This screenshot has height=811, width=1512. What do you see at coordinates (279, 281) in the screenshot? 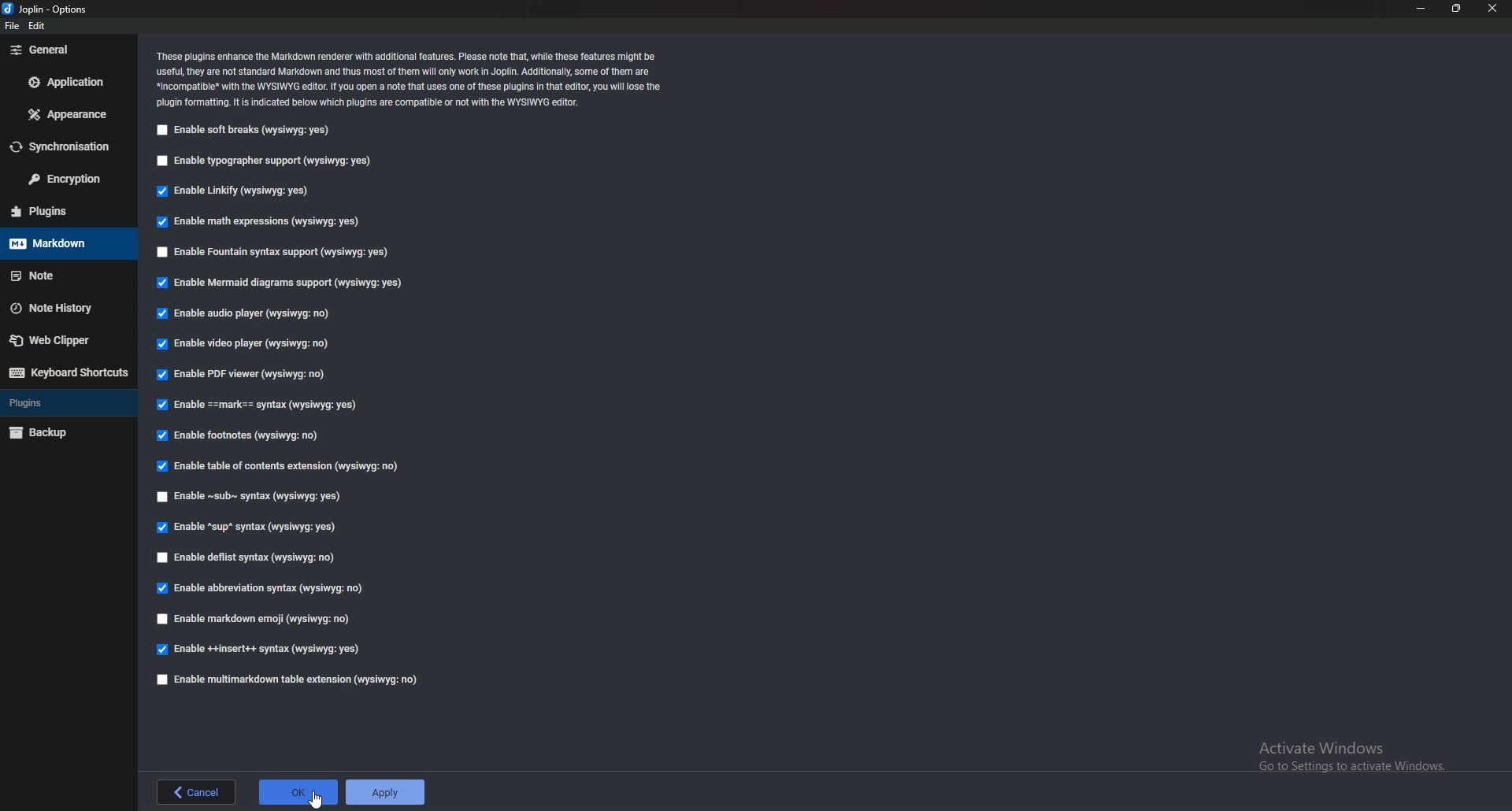
I see `Enable Mermaid diagrams support (wysiwyg: yes)` at bounding box center [279, 281].